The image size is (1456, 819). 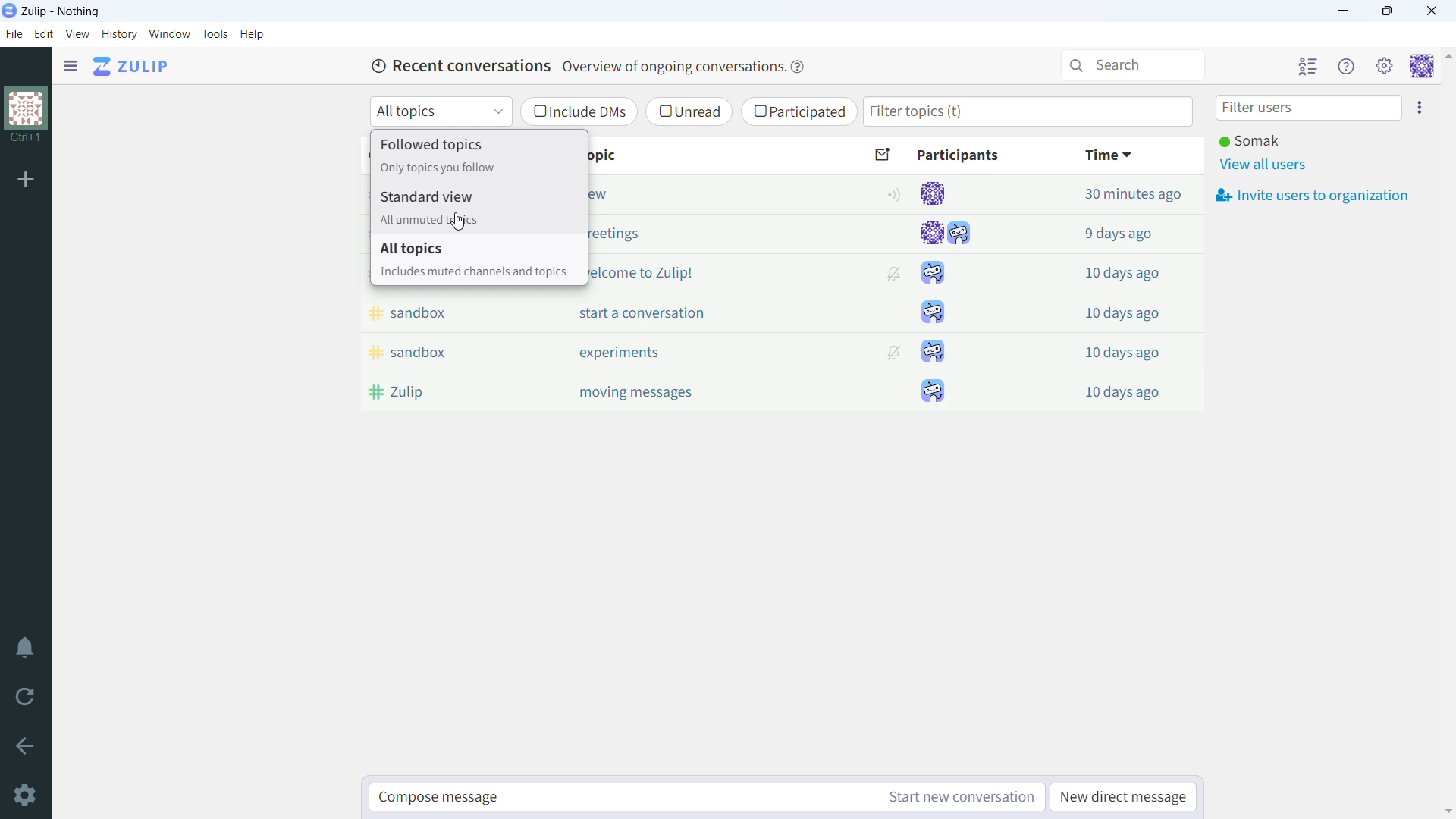 I want to click on standard view, so click(x=479, y=206).